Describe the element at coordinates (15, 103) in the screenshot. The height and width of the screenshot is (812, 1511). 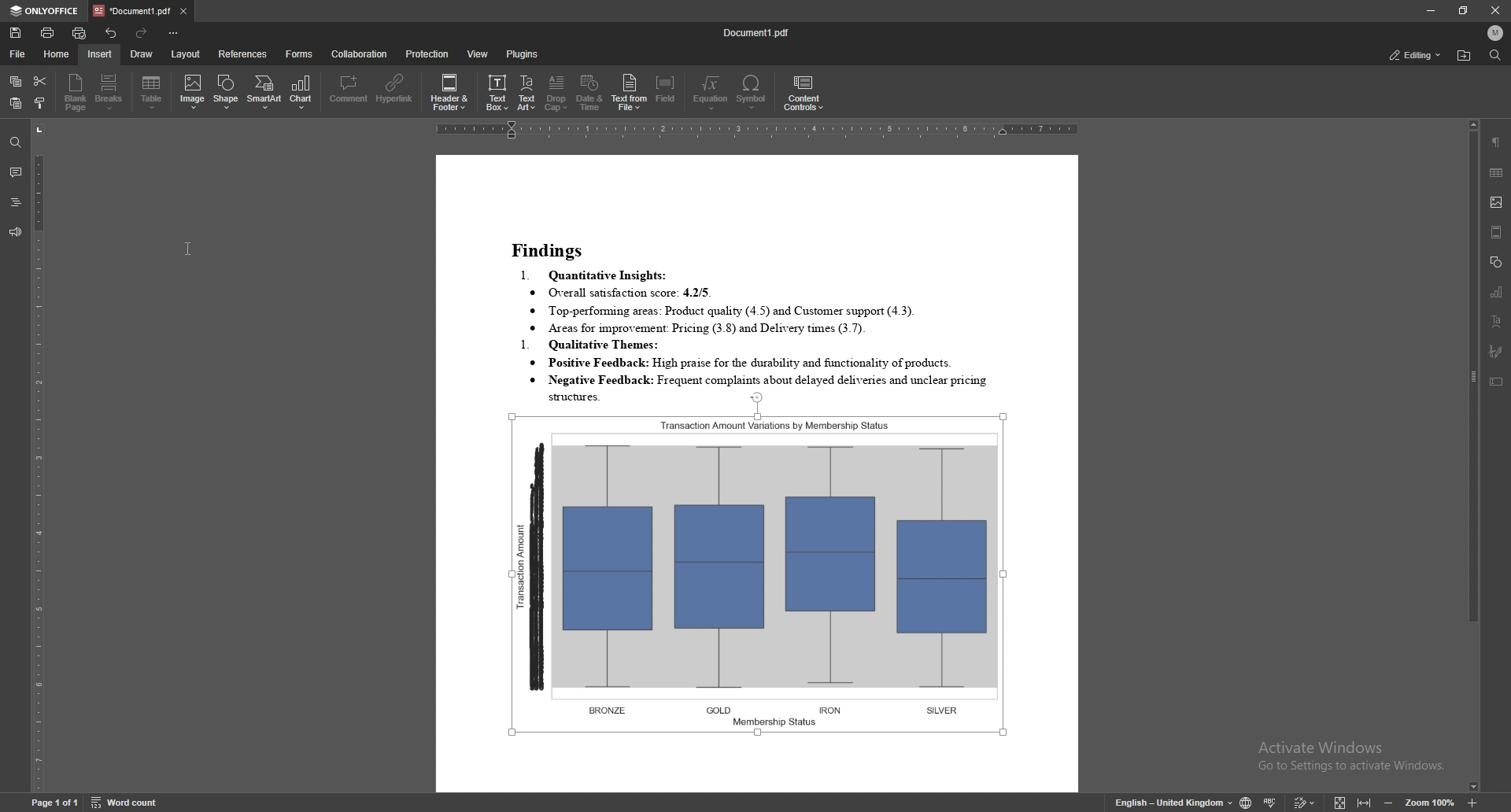
I see `paste` at that location.